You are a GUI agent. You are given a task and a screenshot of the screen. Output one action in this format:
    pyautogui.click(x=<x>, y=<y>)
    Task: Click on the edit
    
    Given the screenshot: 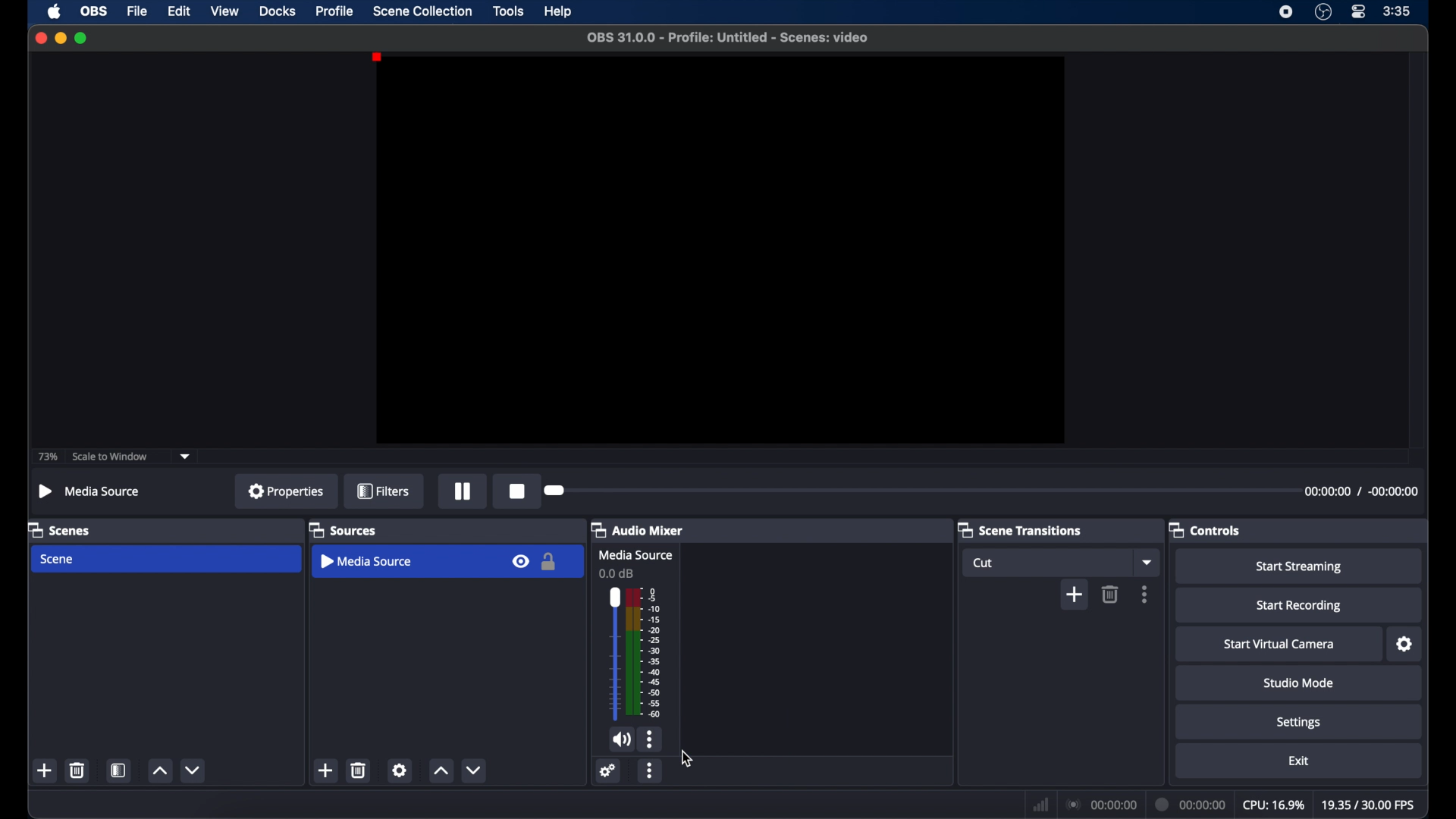 What is the action you would take?
    pyautogui.click(x=179, y=11)
    